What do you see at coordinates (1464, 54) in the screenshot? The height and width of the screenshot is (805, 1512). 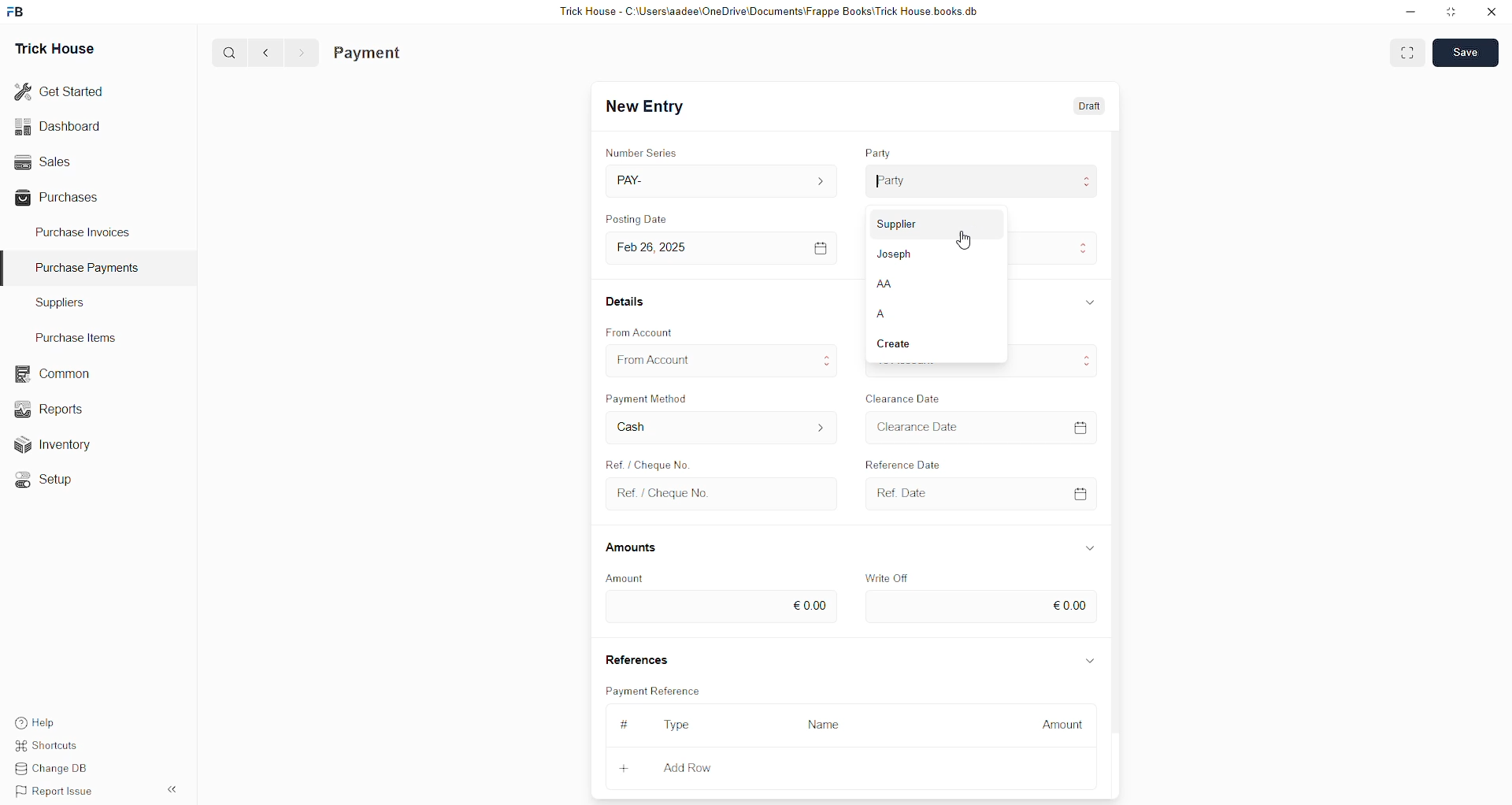 I see `Save` at bounding box center [1464, 54].